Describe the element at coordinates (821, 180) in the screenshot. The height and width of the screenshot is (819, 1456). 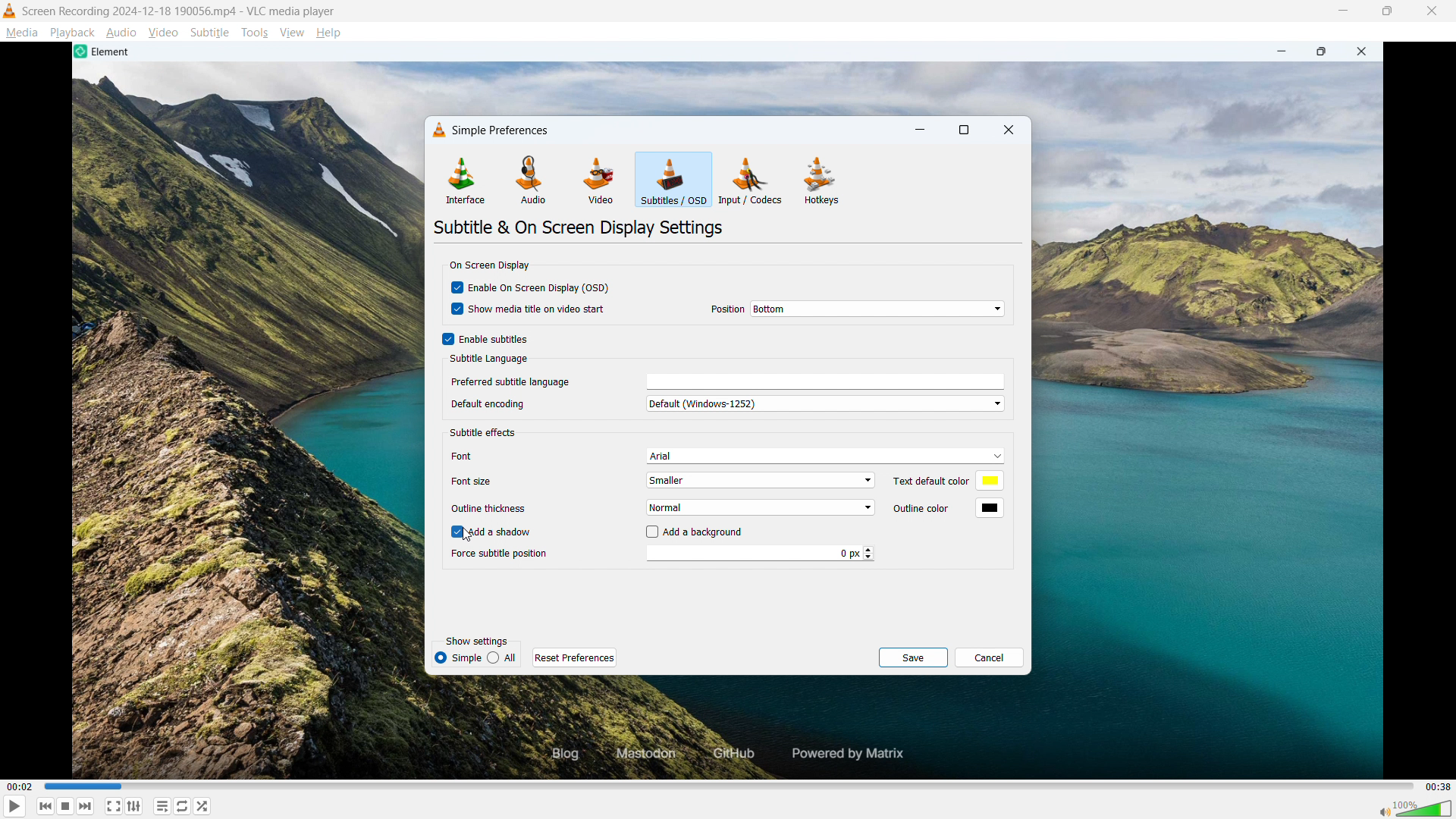
I see `Hot keys ` at that location.